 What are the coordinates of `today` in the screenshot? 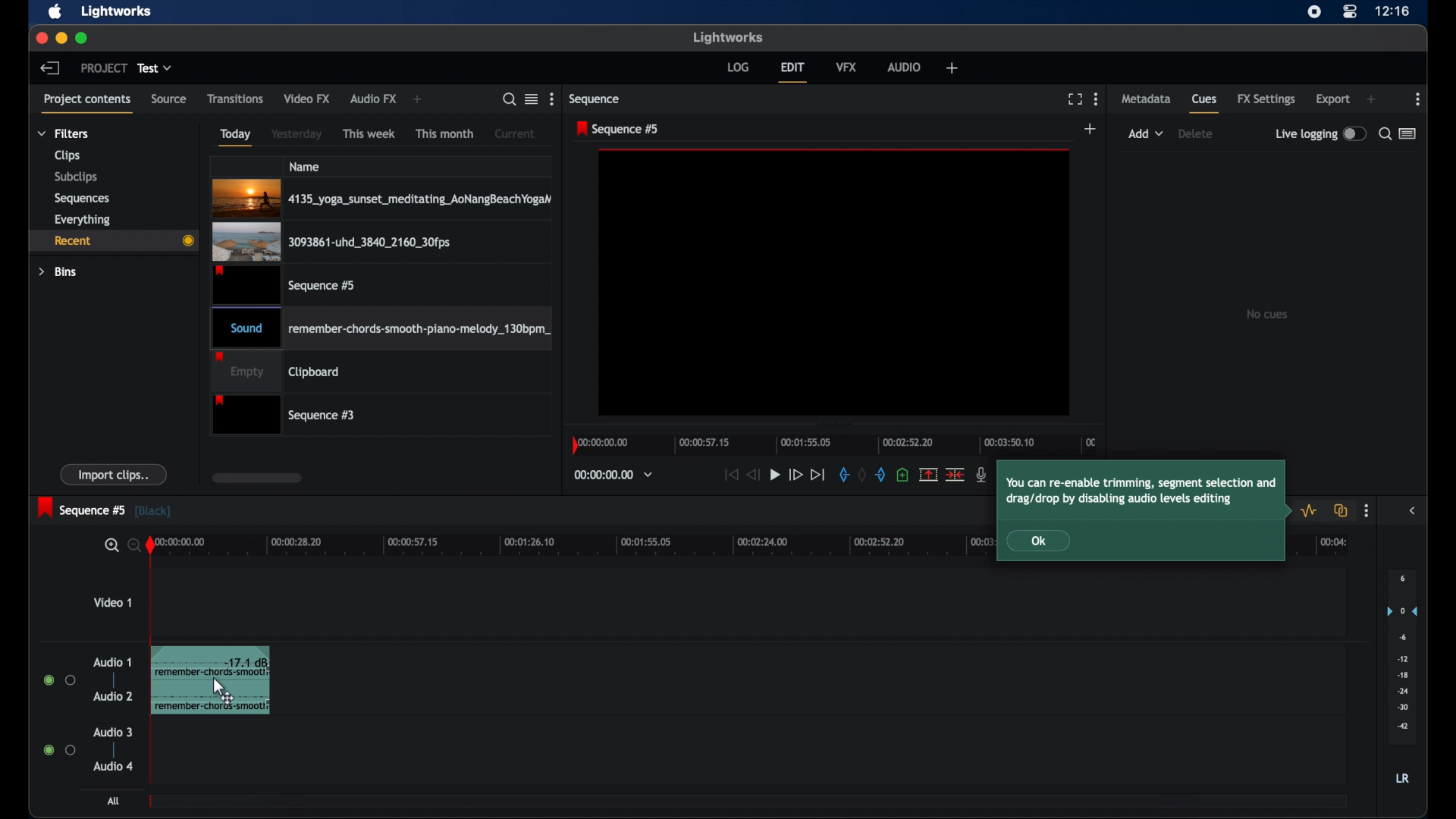 It's located at (234, 136).